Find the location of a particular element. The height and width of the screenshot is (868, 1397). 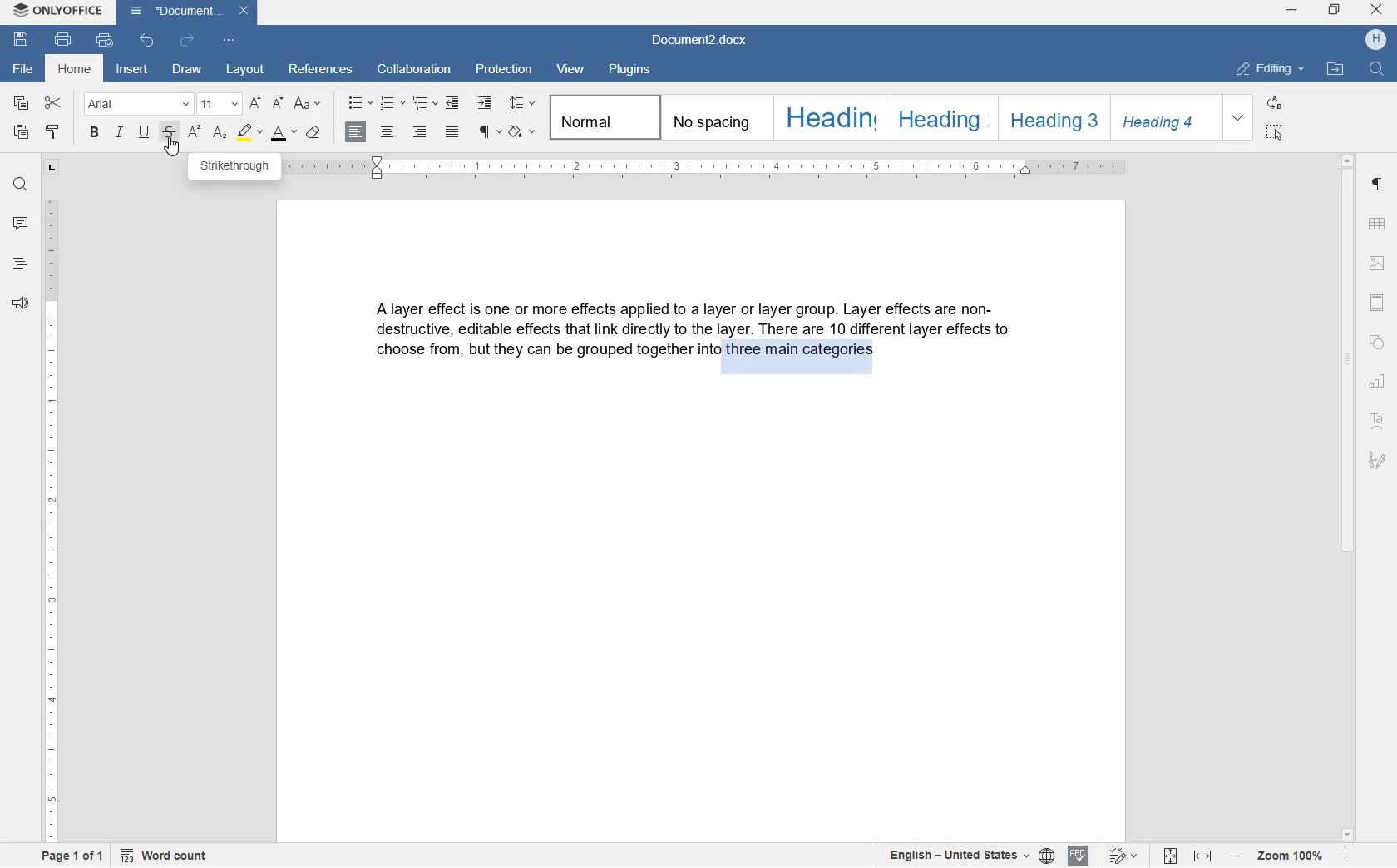

minimize is located at coordinates (1292, 11).